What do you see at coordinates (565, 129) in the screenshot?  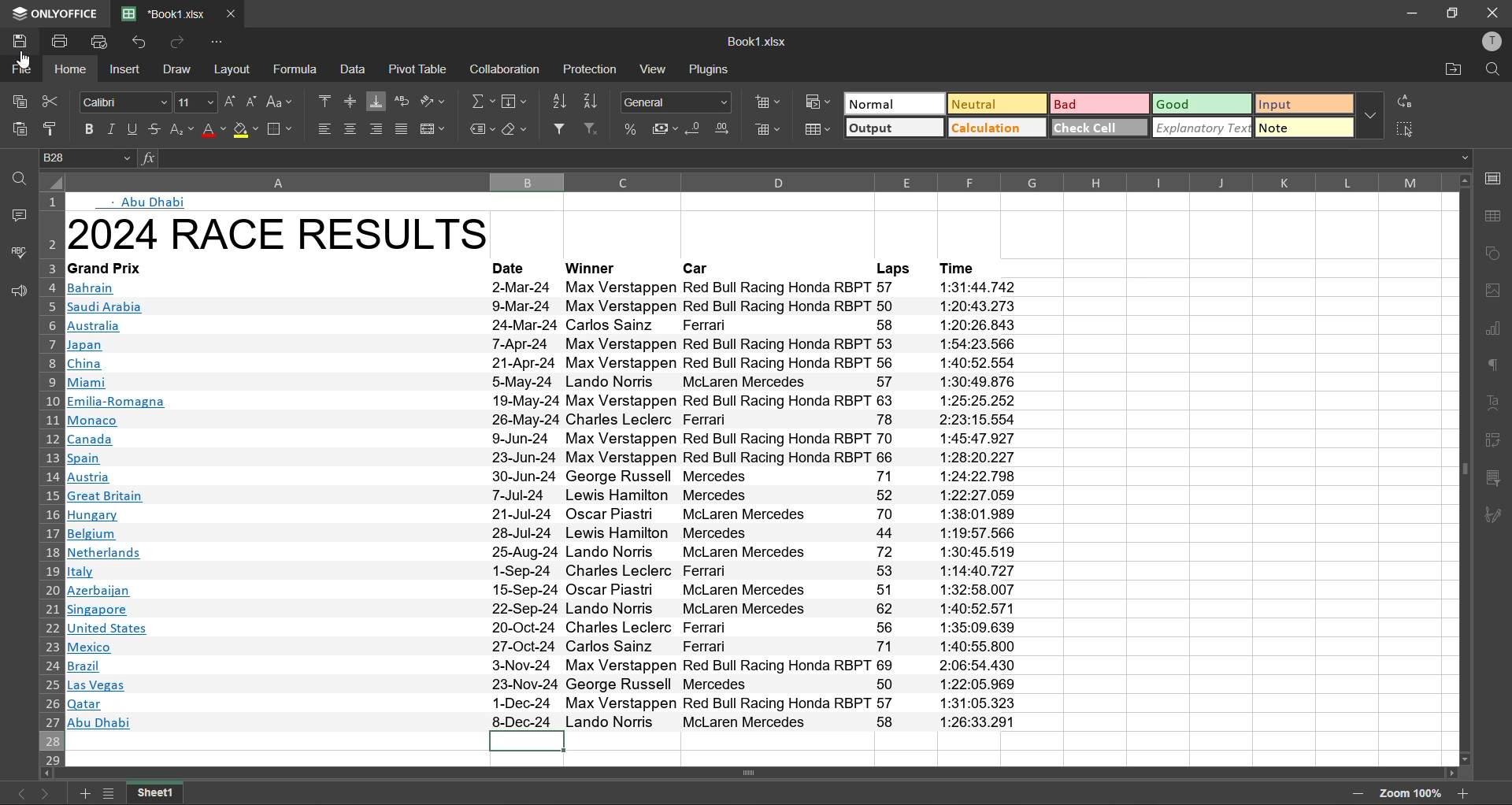 I see `filter` at bounding box center [565, 129].